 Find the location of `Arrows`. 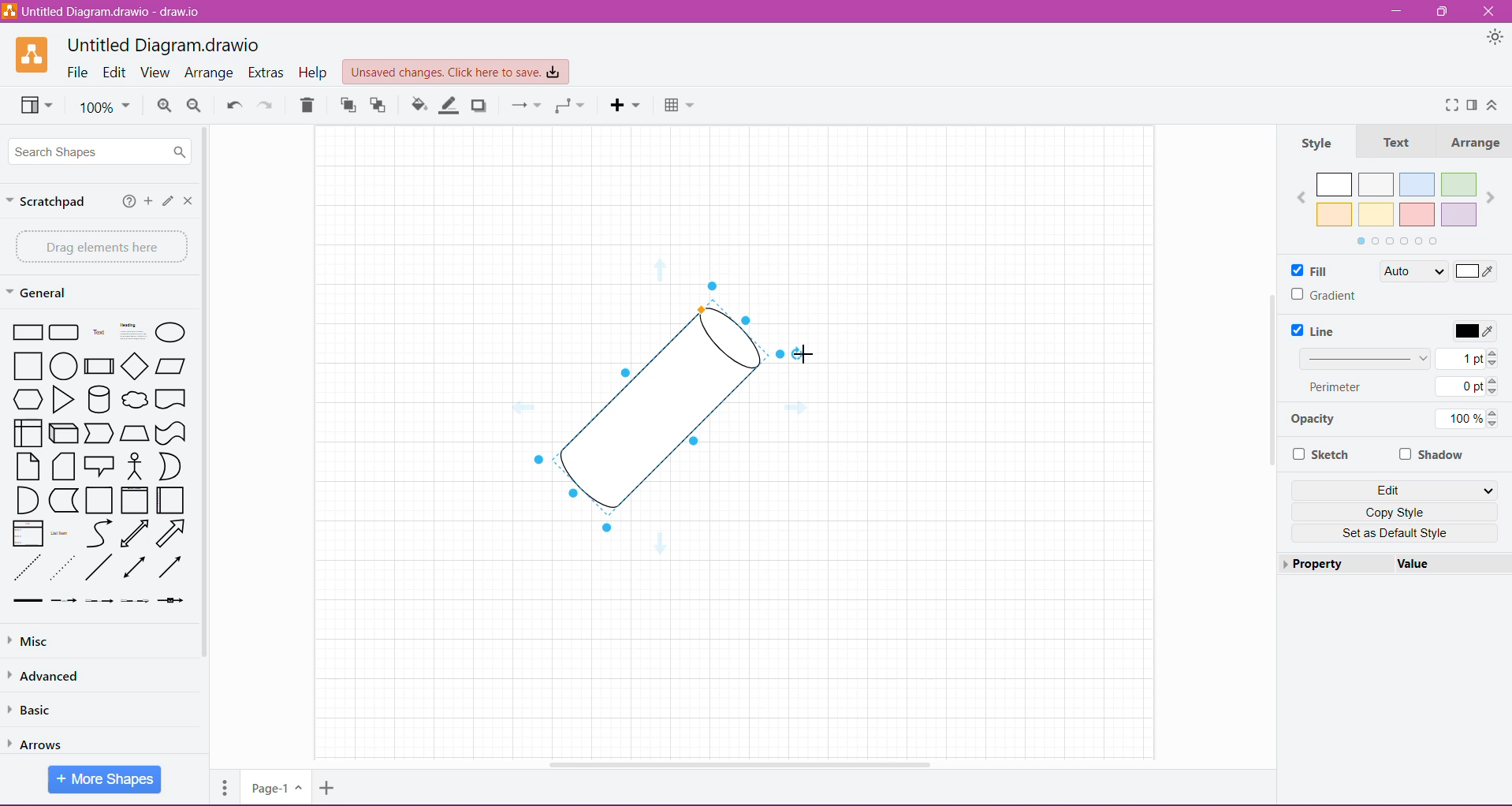

Arrows is located at coordinates (45, 741).